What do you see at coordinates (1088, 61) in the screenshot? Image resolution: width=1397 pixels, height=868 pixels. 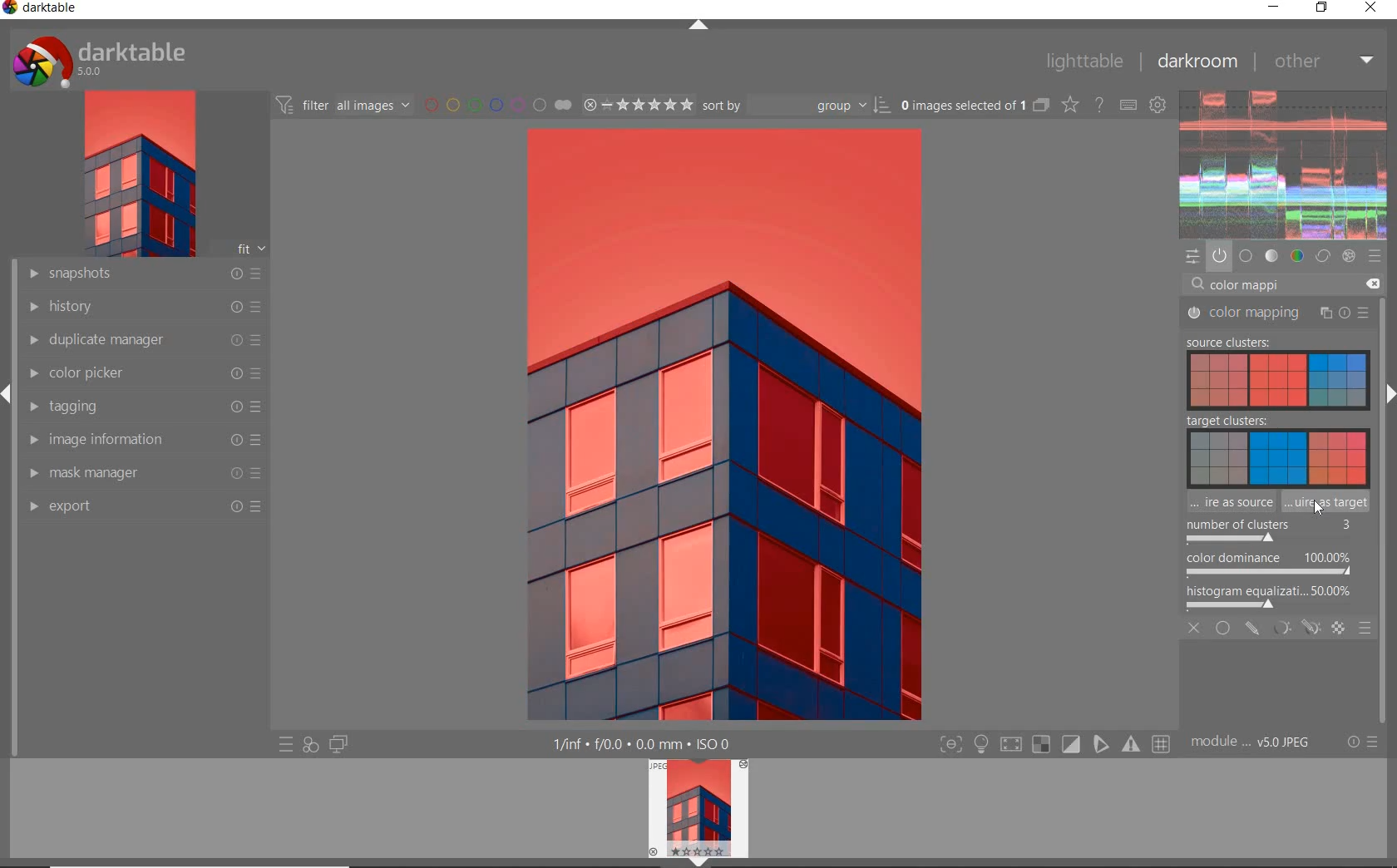 I see `lighttable` at bounding box center [1088, 61].